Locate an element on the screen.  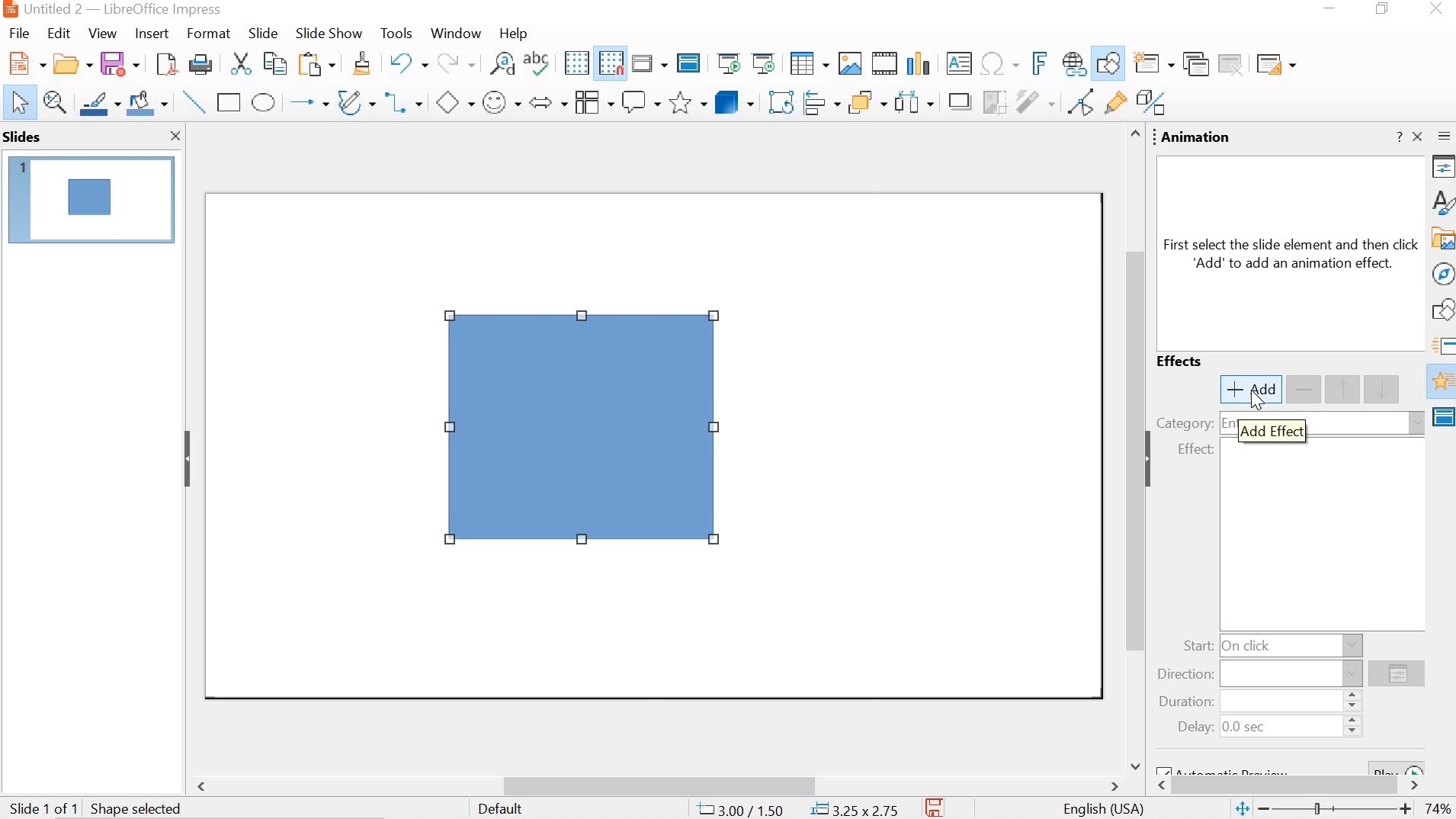
insert hyprlink is located at coordinates (1075, 61).